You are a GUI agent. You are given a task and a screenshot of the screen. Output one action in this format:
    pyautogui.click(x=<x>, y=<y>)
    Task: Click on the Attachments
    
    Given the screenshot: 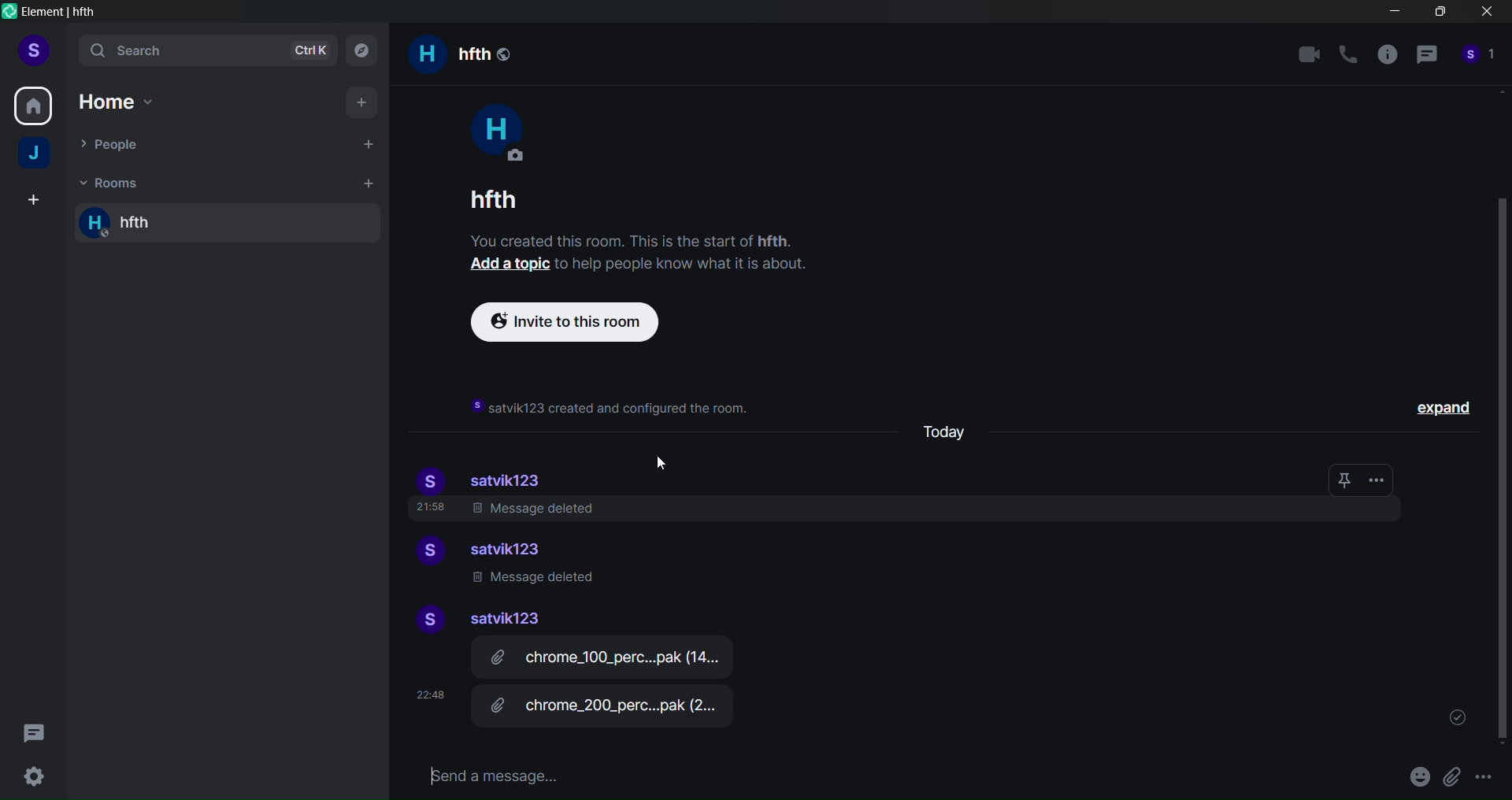 What is the action you would take?
    pyautogui.click(x=1455, y=776)
    